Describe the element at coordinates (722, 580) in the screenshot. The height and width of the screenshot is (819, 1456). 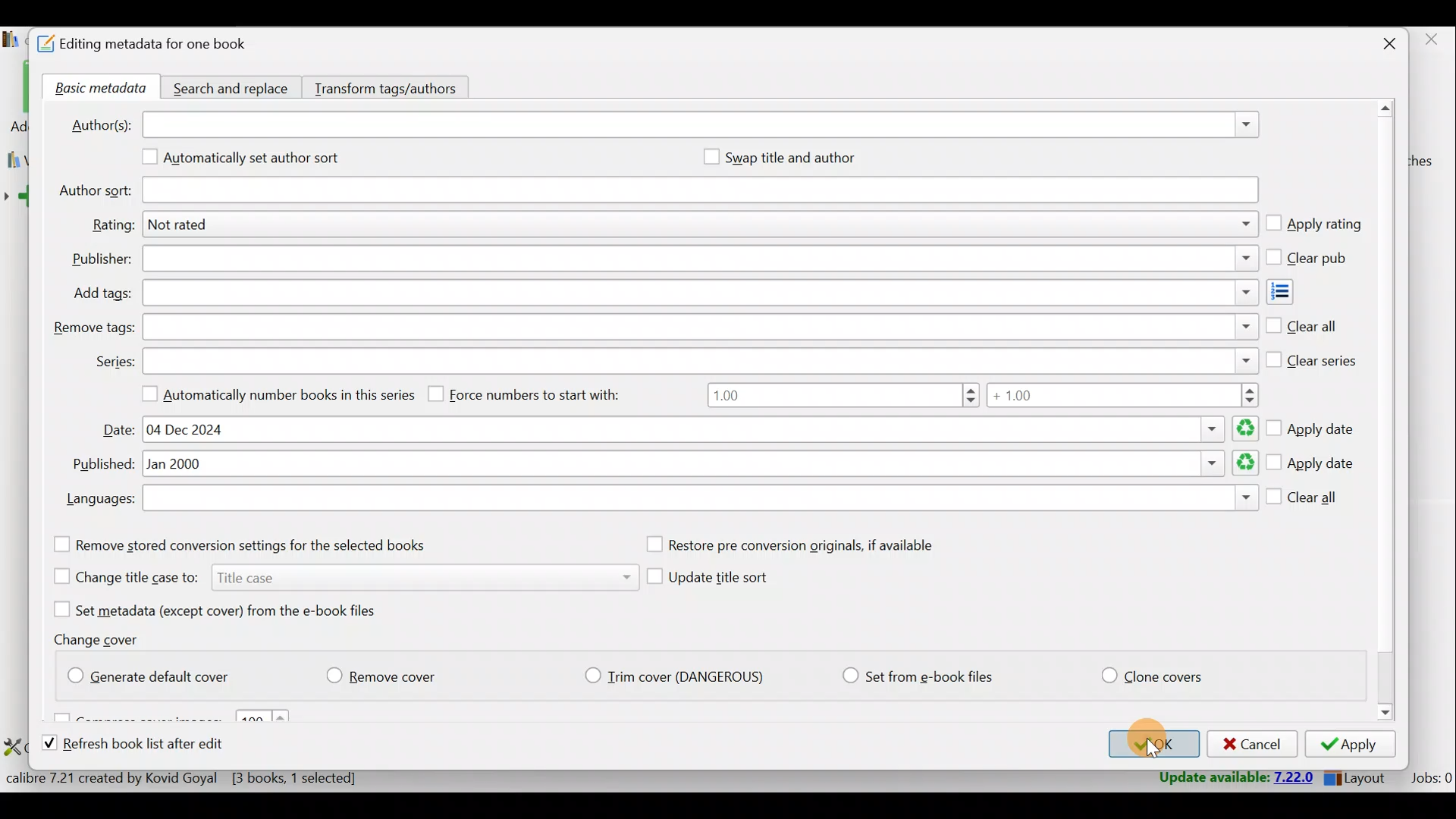
I see `Update title sort` at that location.